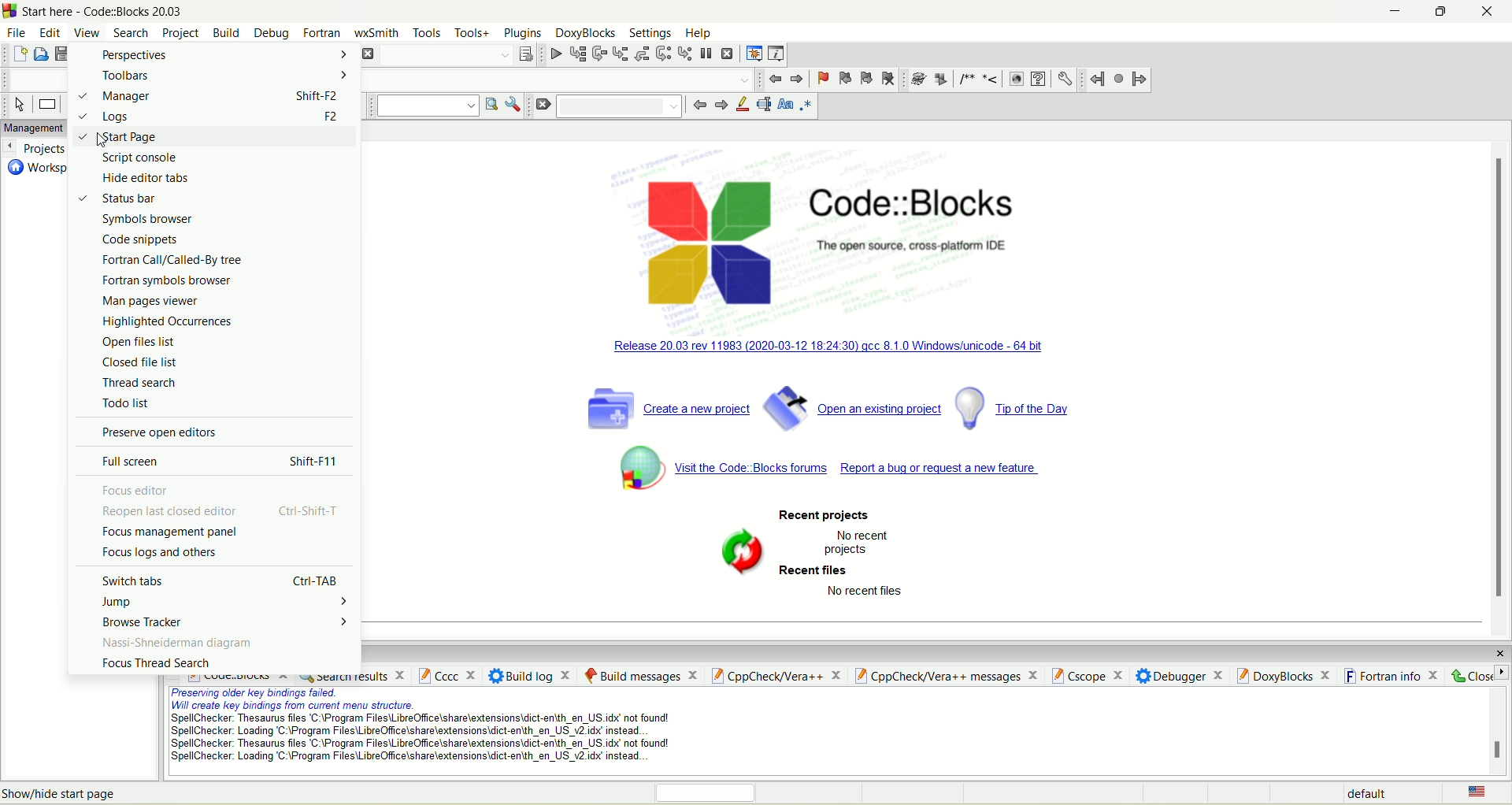  Describe the element at coordinates (825, 514) in the screenshot. I see `recent projects` at that location.